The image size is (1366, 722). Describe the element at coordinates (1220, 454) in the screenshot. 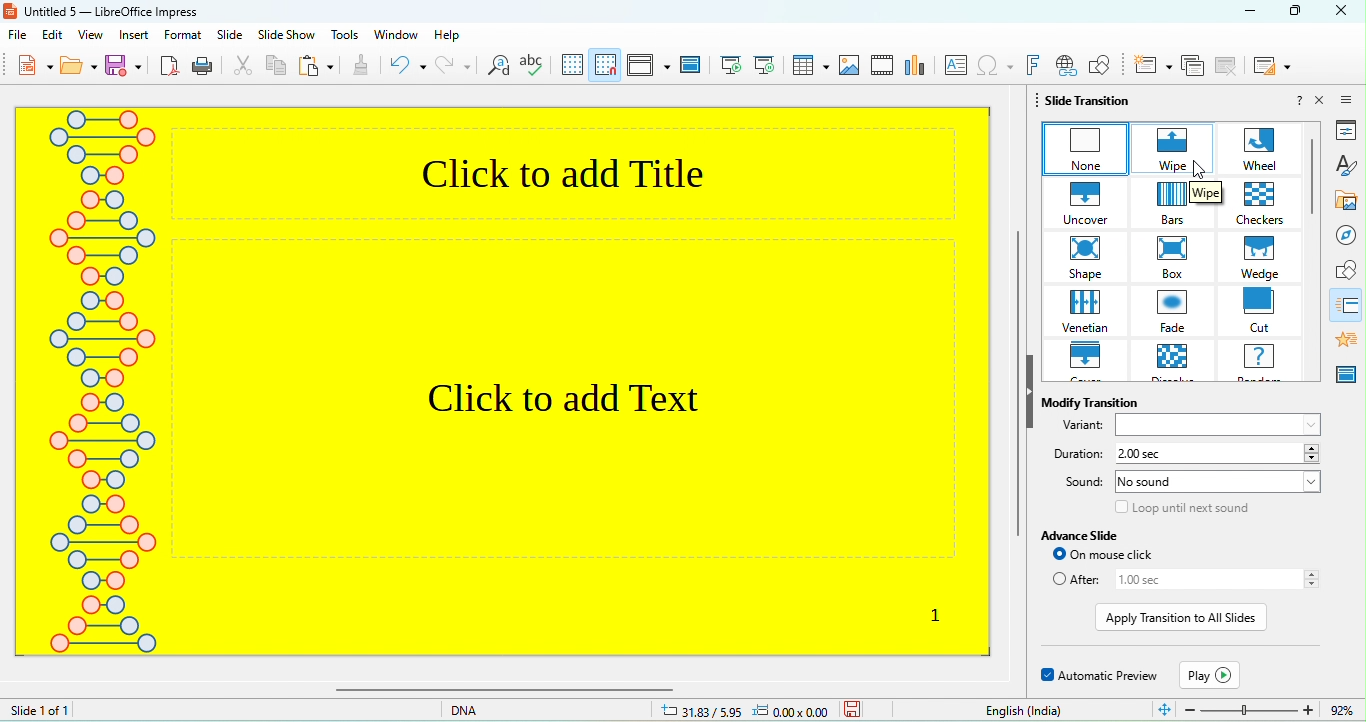

I see `2.00 sec` at that location.